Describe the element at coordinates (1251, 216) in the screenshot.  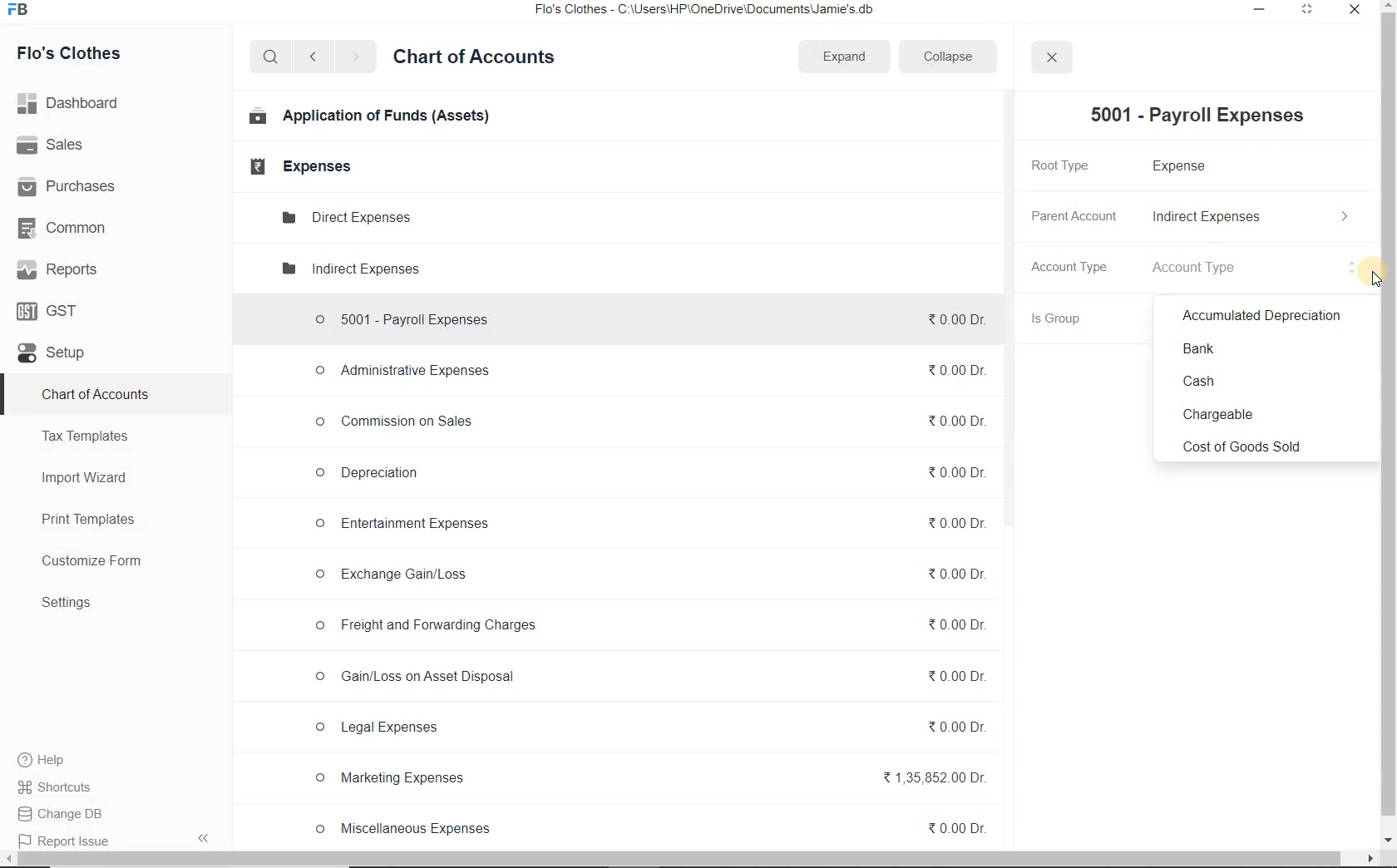
I see `Indirect Expenses` at that location.